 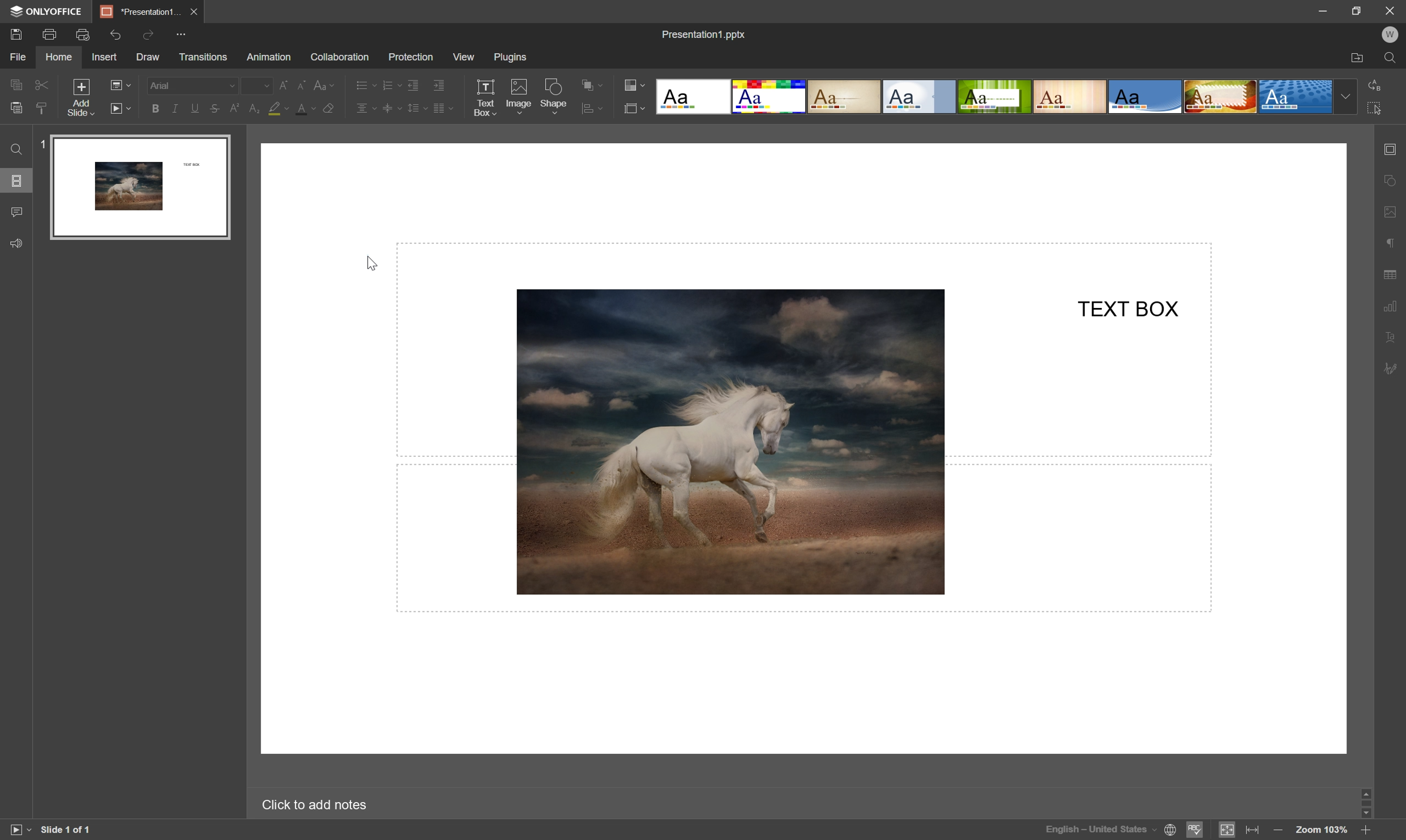 I want to click on Official, so click(x=919, y=98).